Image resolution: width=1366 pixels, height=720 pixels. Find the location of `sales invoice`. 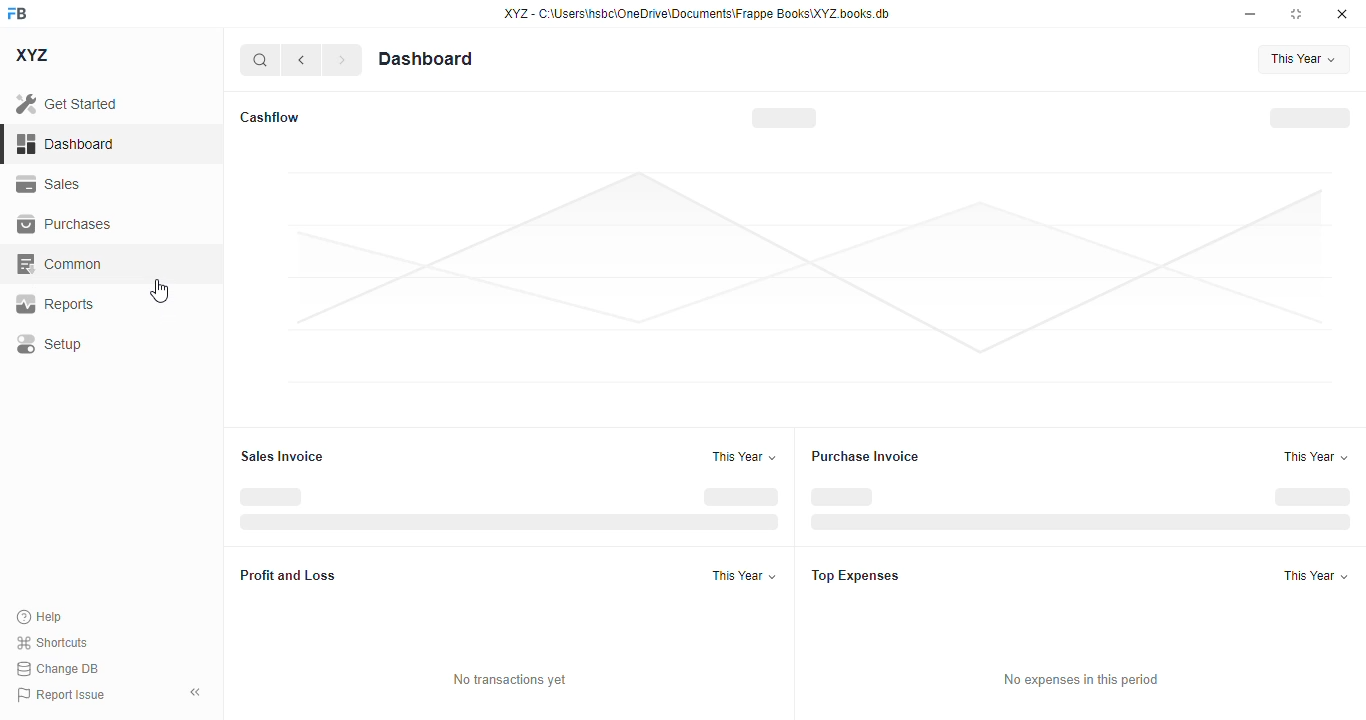

sales invoice is located at coordinates (281, 456).